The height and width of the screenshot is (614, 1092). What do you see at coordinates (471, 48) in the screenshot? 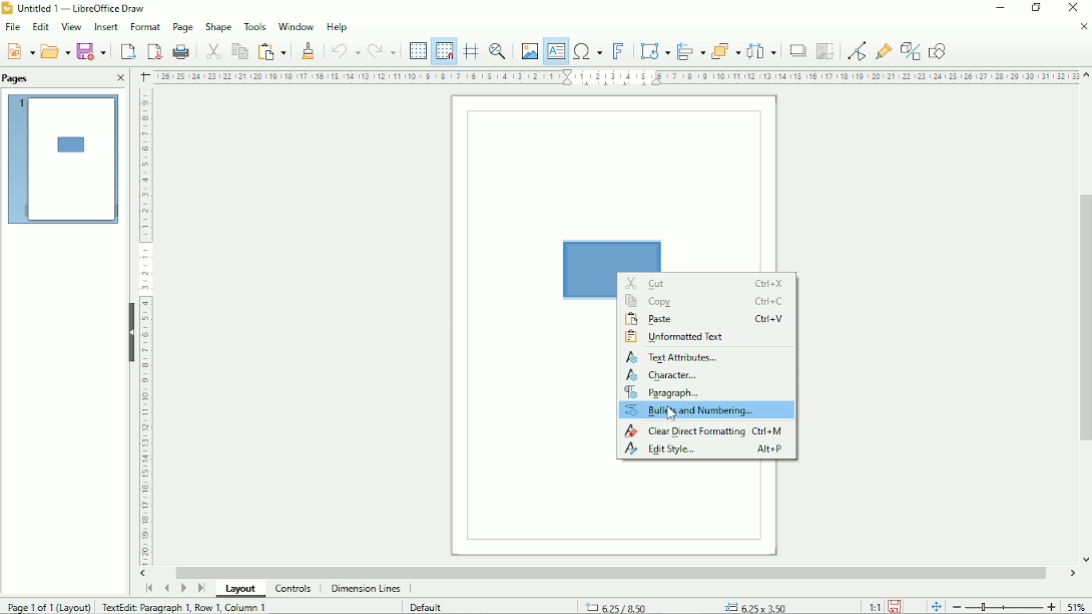
I see `Helplines while moving` at bounding box center [471, 48].